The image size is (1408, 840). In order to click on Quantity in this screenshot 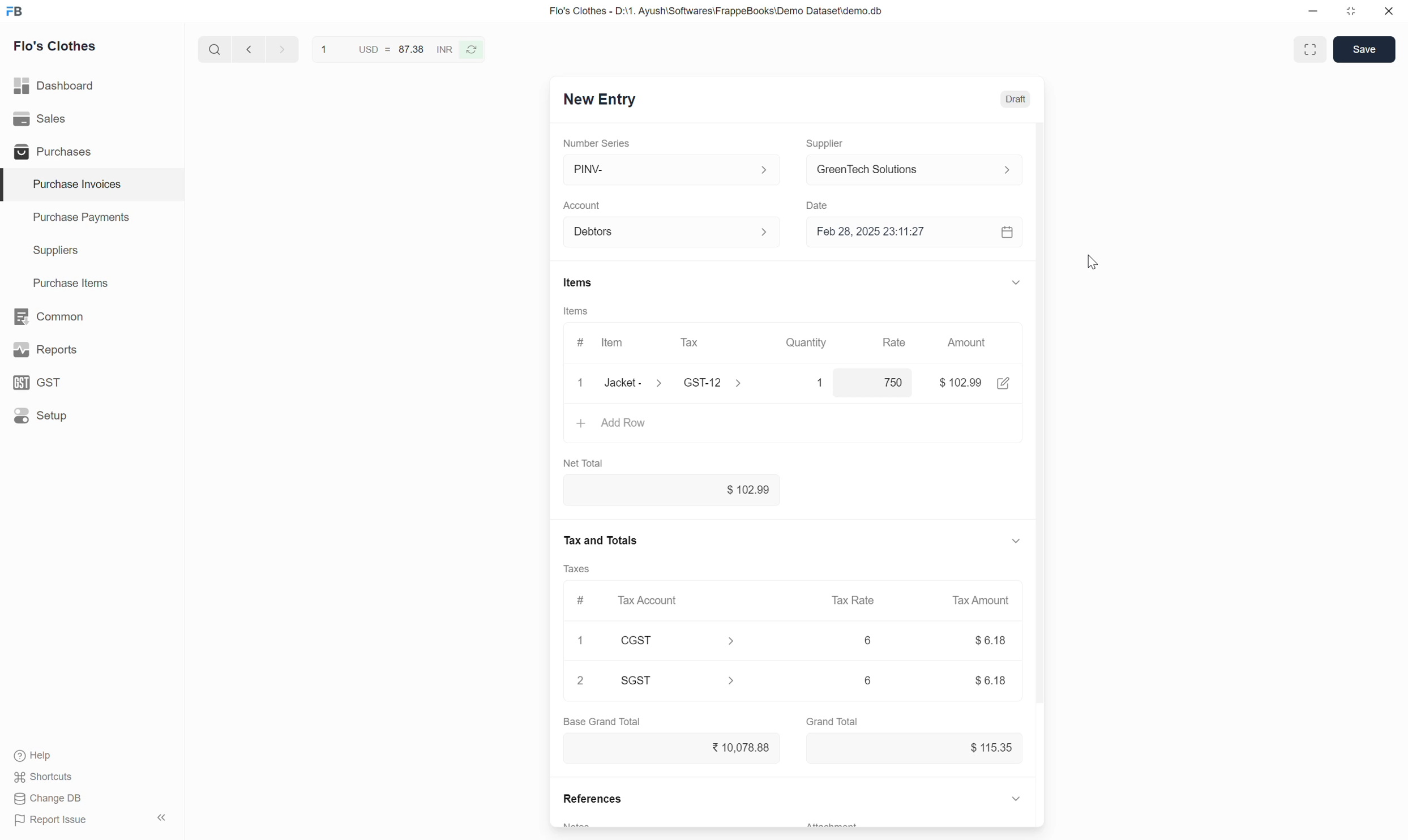, I will do `click(807, 342)`.